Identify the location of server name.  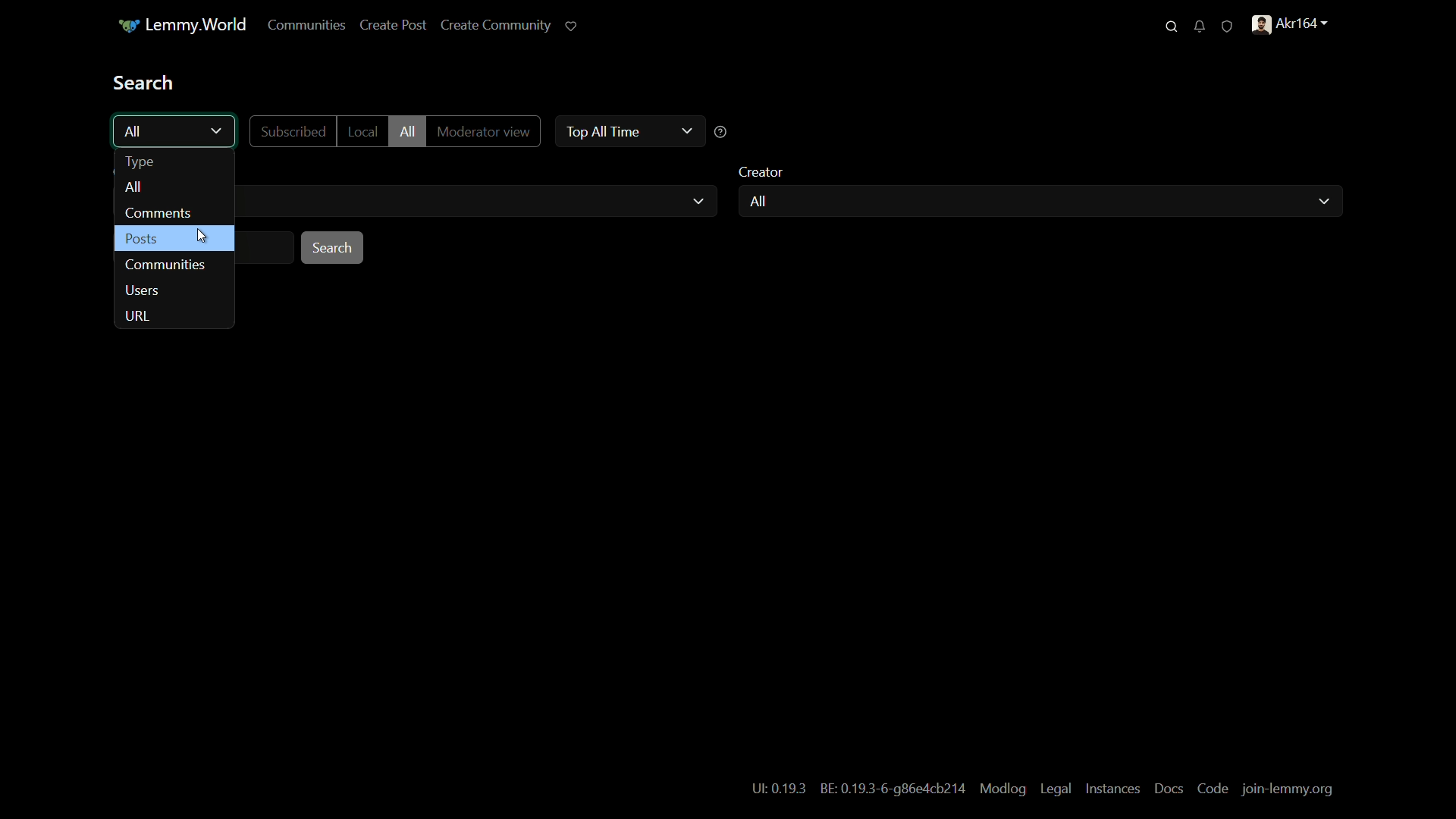
(181, 25).